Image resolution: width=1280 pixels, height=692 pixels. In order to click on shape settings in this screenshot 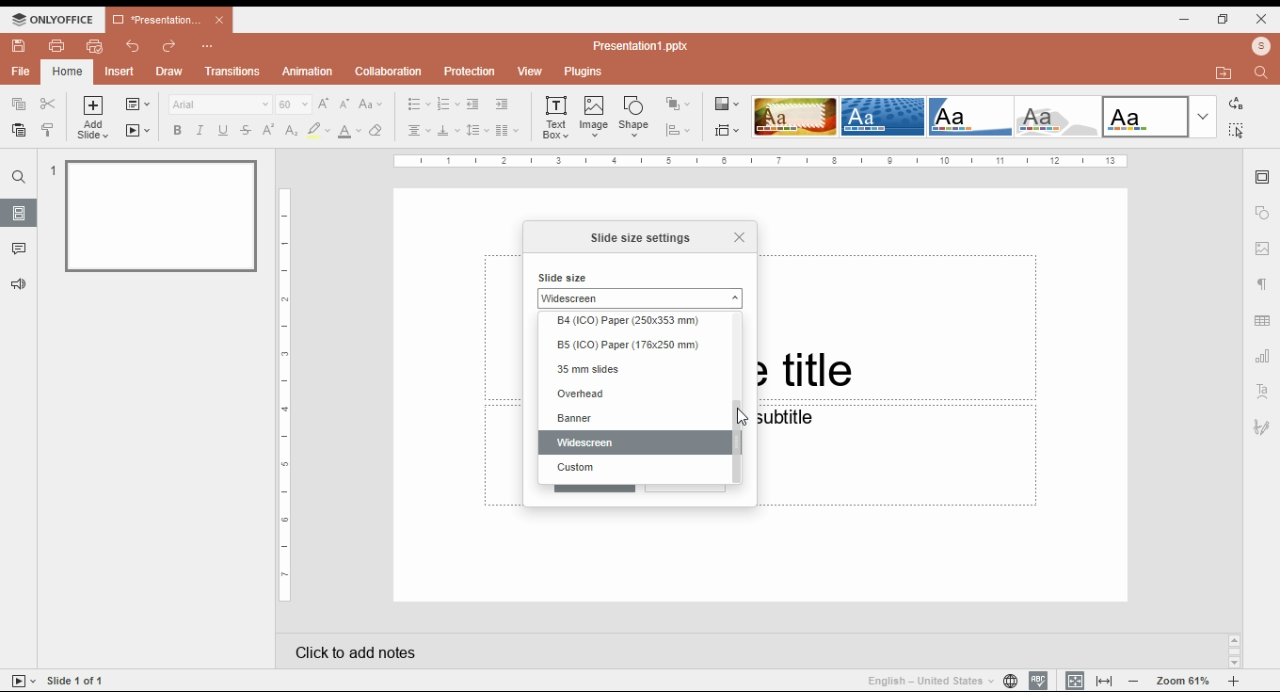, I will do `click(1263, 213)`.